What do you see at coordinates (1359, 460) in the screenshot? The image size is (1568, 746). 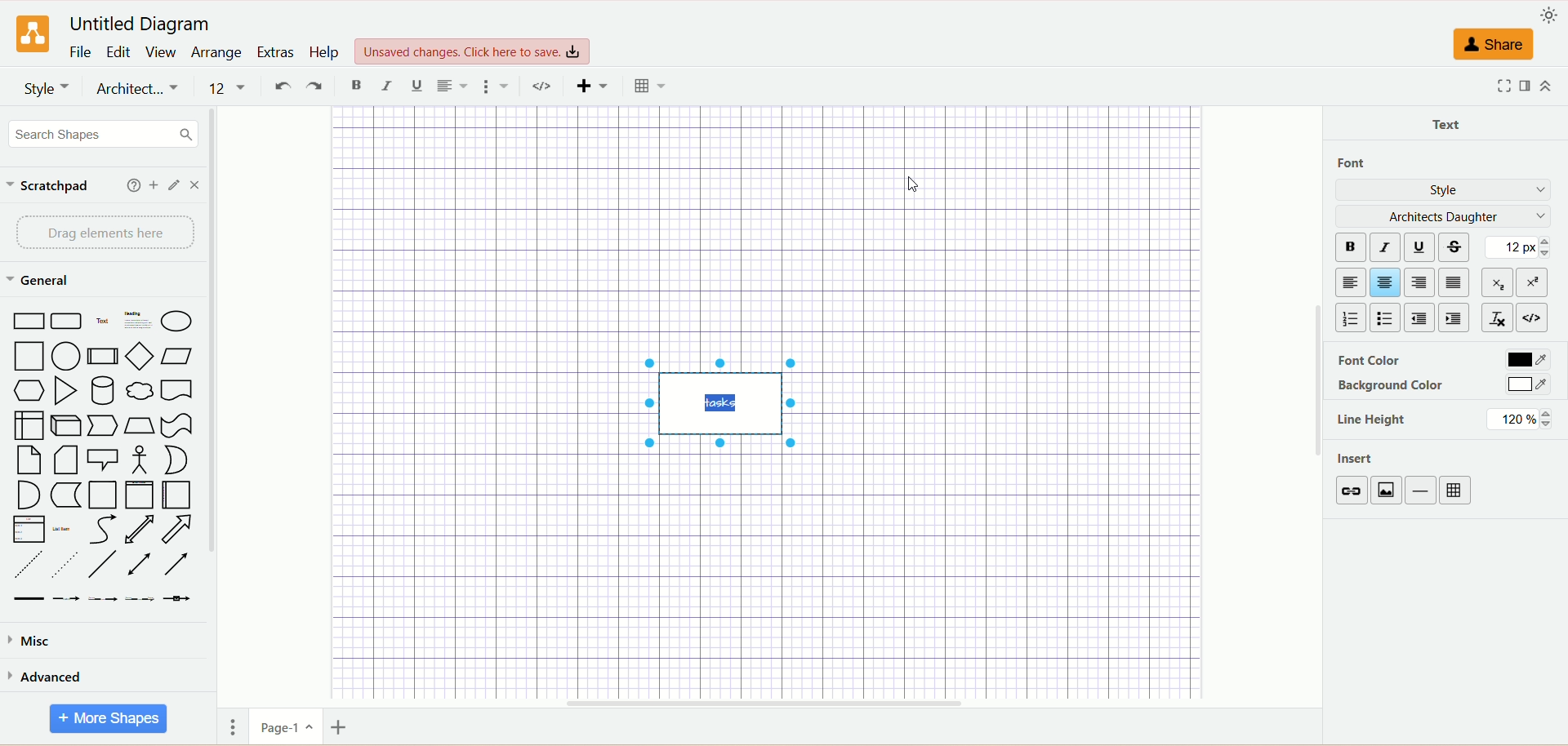 I see `insert` at bounding box center [1359, 460].